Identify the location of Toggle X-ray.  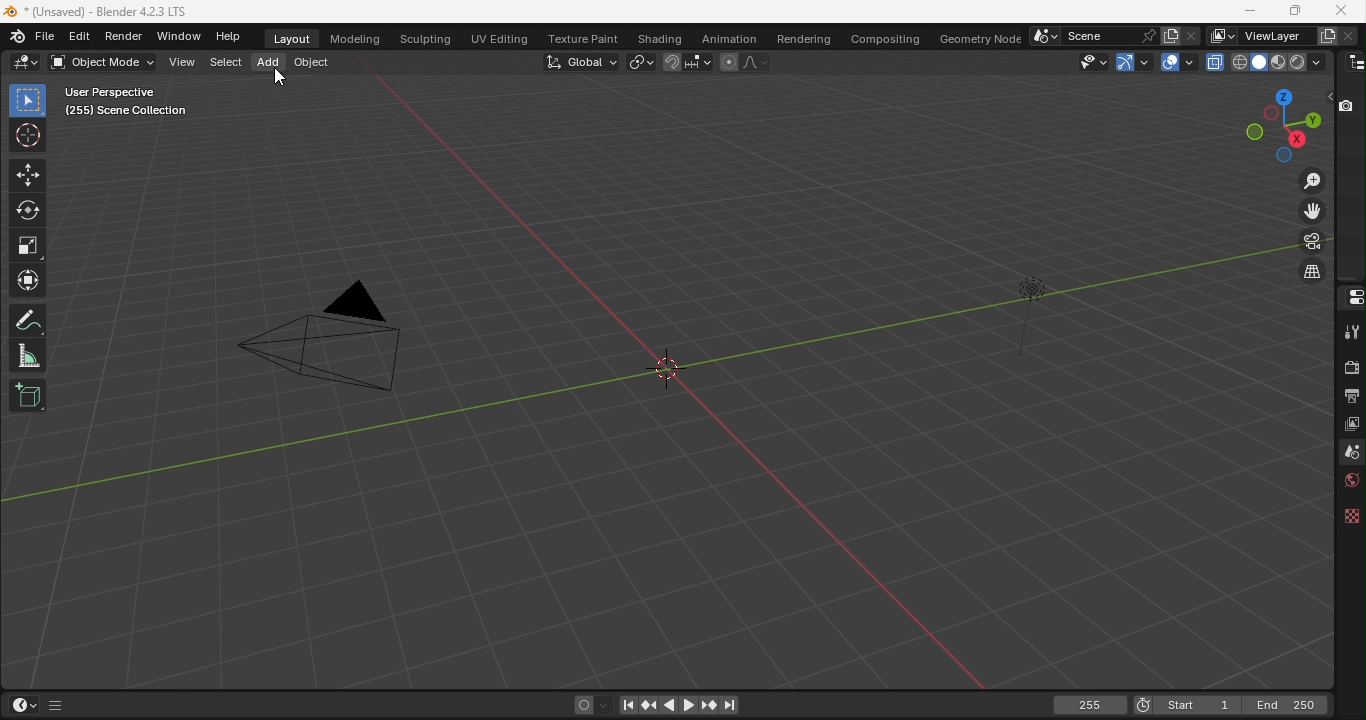
(1216, 63).